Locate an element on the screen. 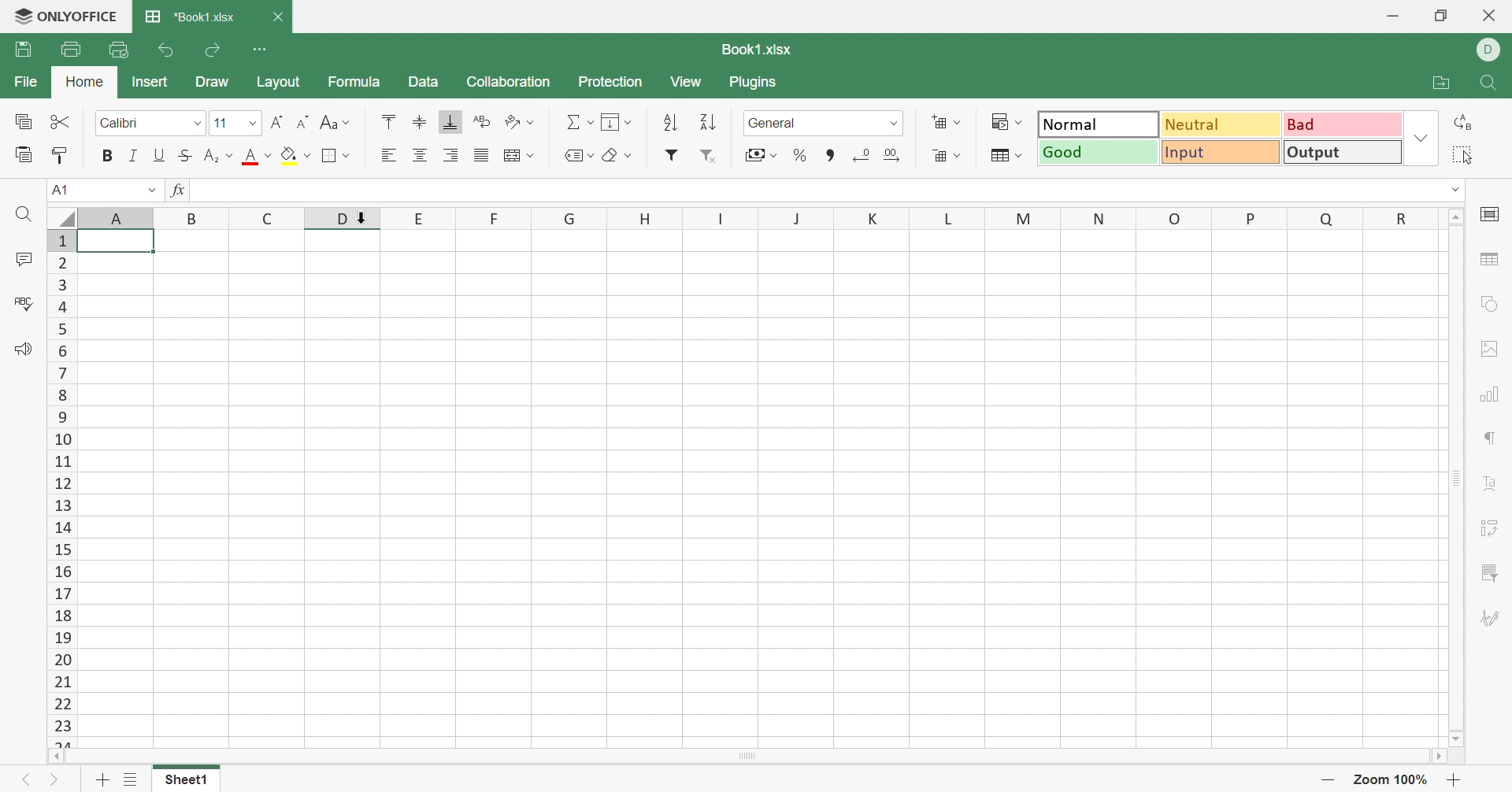  Pivot Table settings is located at coordinates (1492, 527).